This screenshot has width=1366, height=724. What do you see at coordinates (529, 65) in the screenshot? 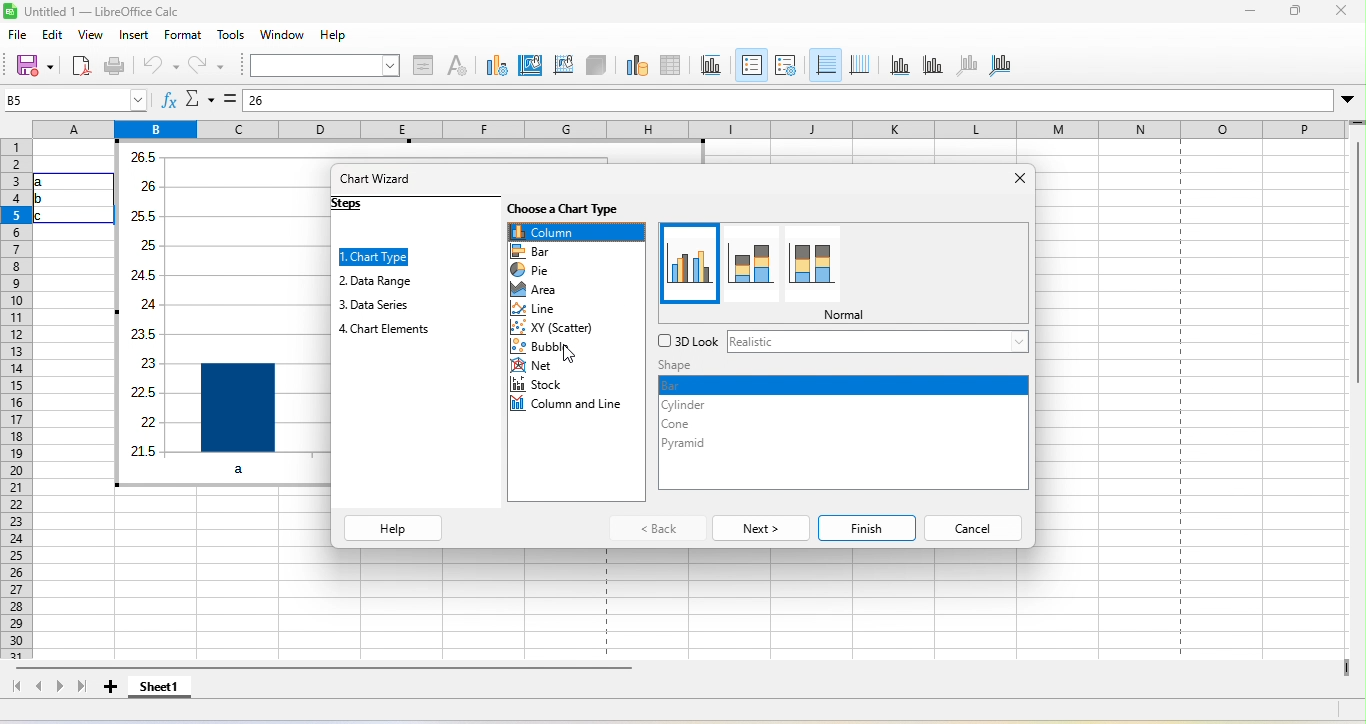
I see `chart area` at bounding box center [529, 65].